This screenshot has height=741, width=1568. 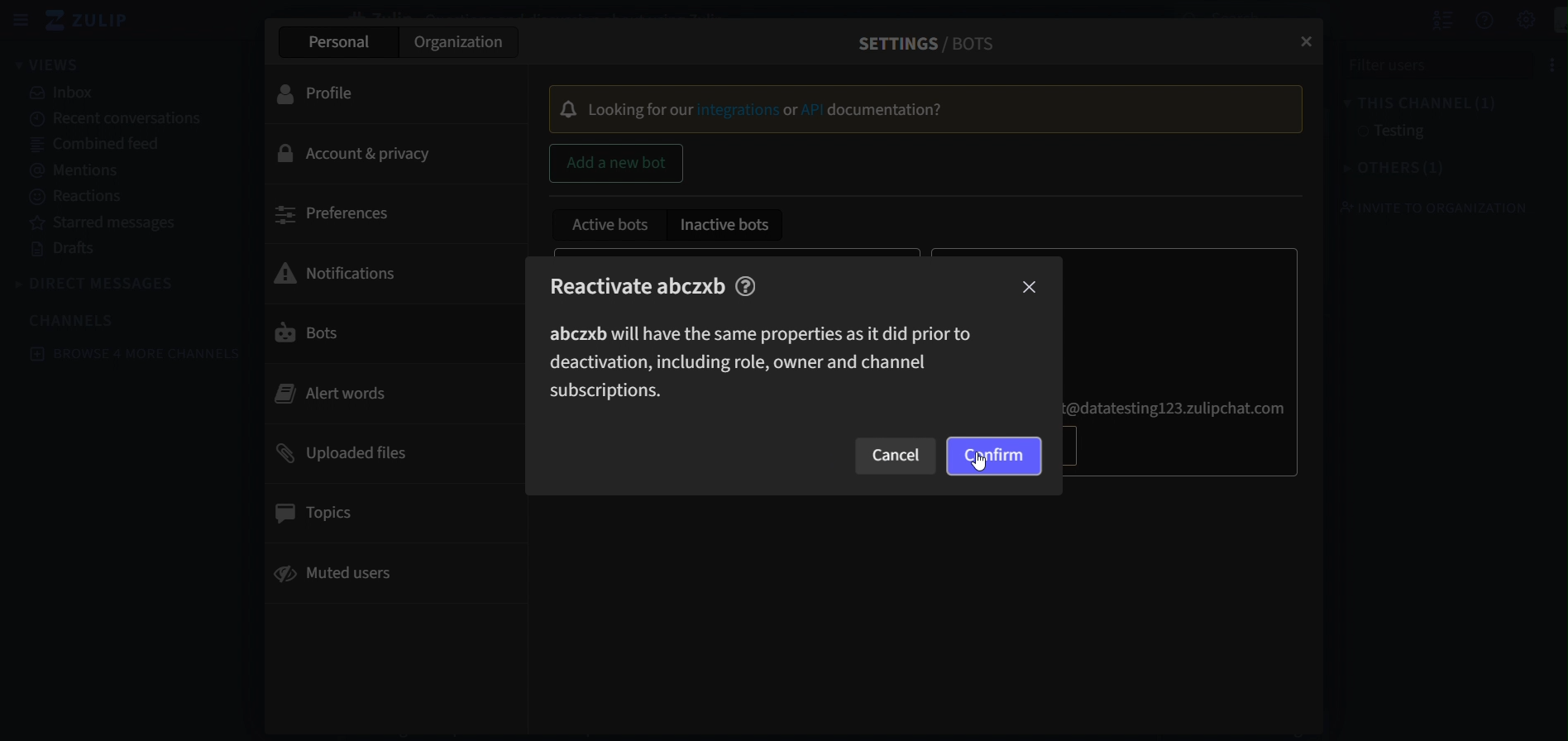 What do you see at coordinates (327, 93) in the screenshot?
I see `profile` at bounding box center [327, 93].